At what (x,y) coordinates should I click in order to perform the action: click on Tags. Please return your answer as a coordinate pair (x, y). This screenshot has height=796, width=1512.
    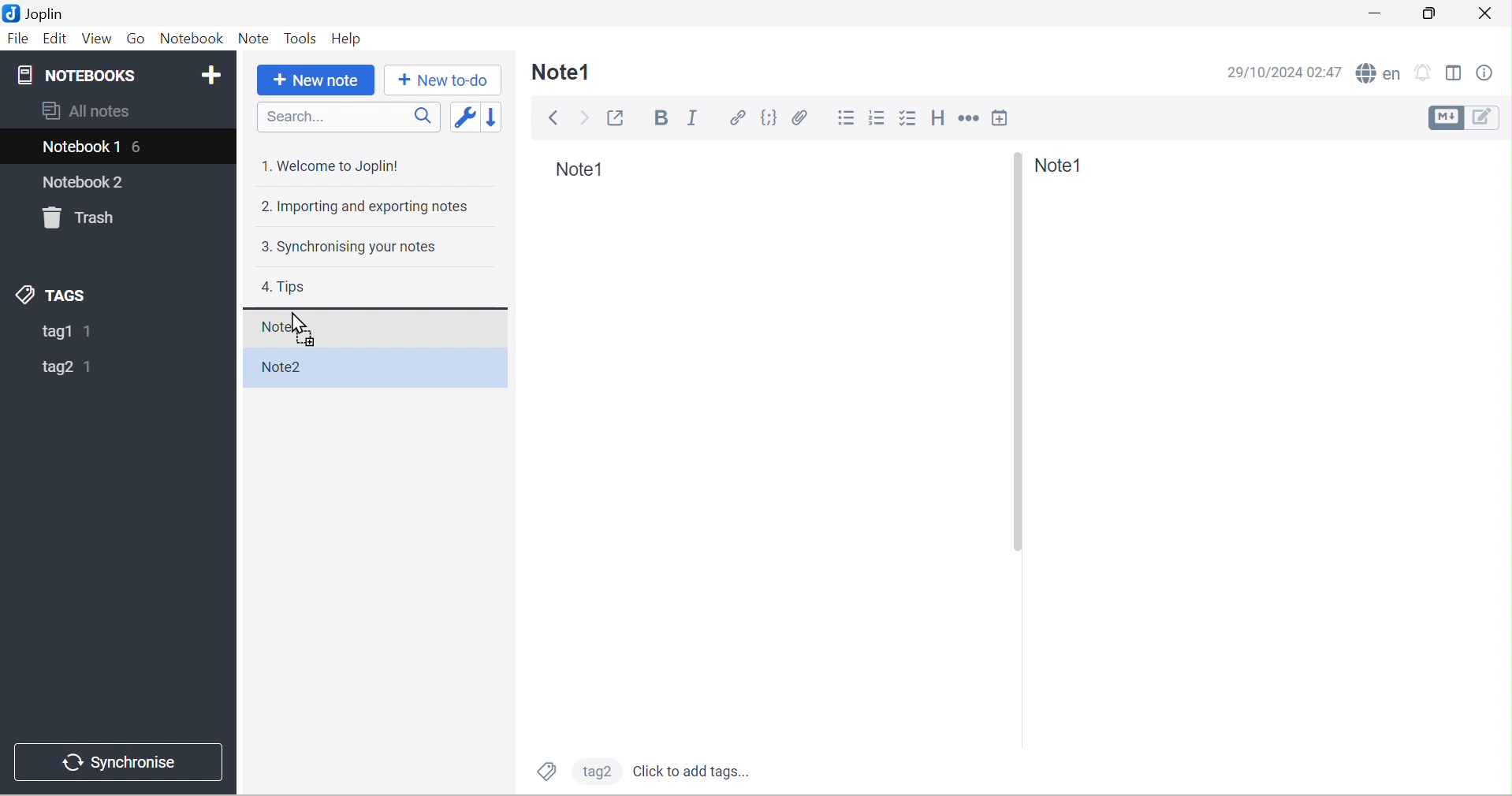
    Looking at the image, I should click on (546, 772).